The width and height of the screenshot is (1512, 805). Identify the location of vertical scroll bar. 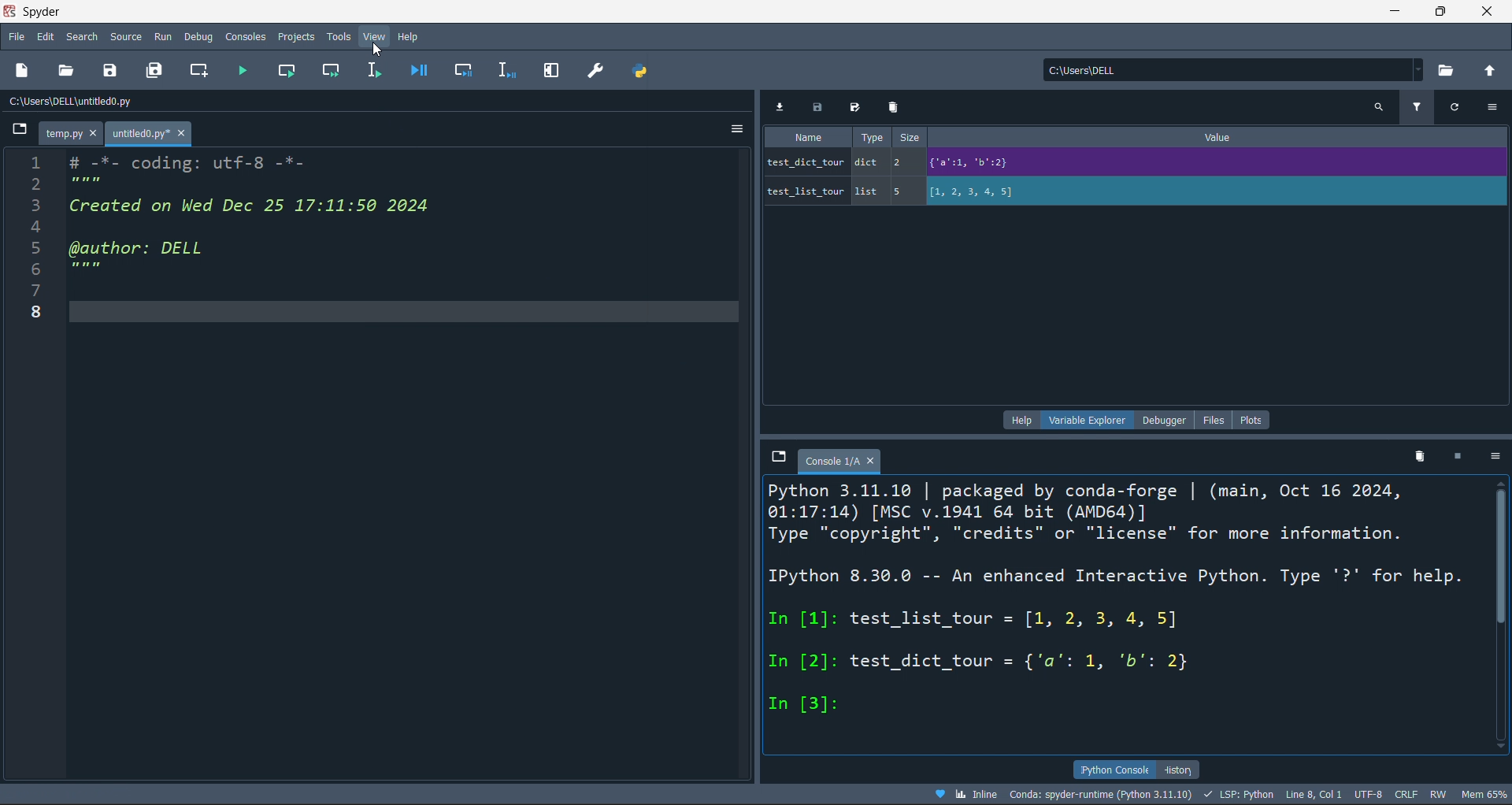
(1503, 566).